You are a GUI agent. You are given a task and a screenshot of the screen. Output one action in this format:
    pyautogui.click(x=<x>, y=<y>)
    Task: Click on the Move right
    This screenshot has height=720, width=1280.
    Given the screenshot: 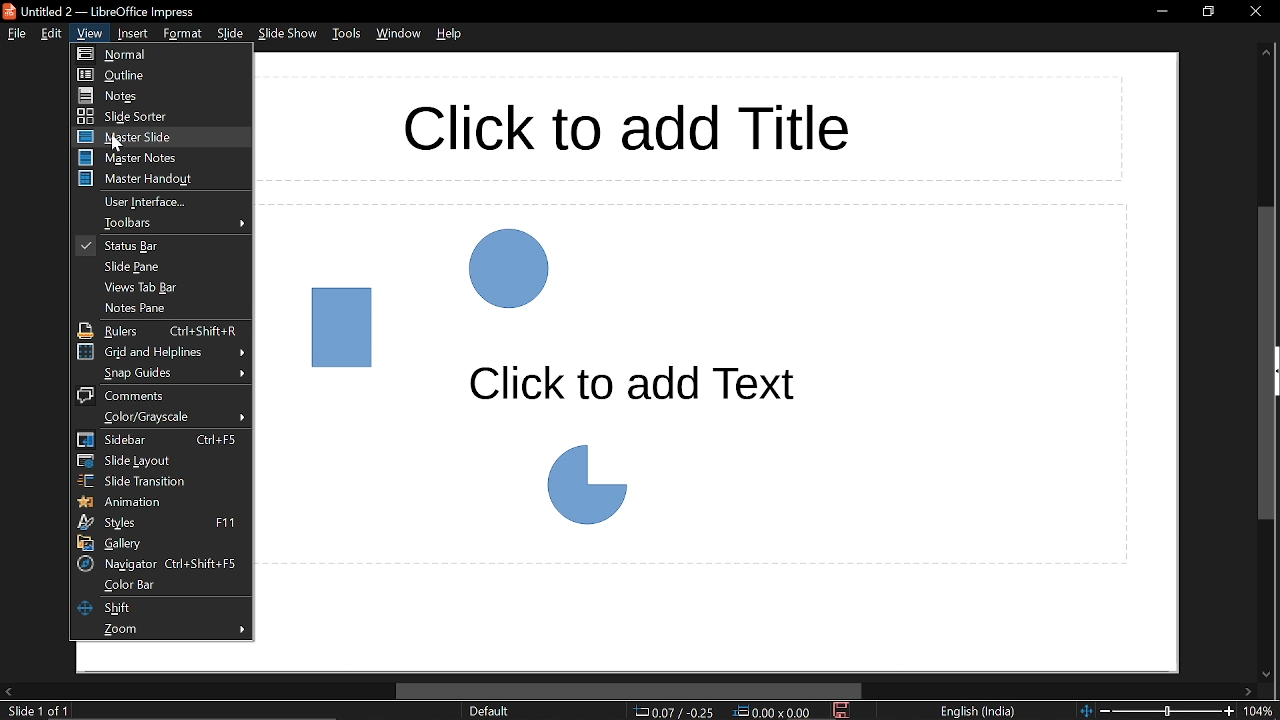 What is the action you would take?
    pyautogui.click(x=1246, y=692)
    